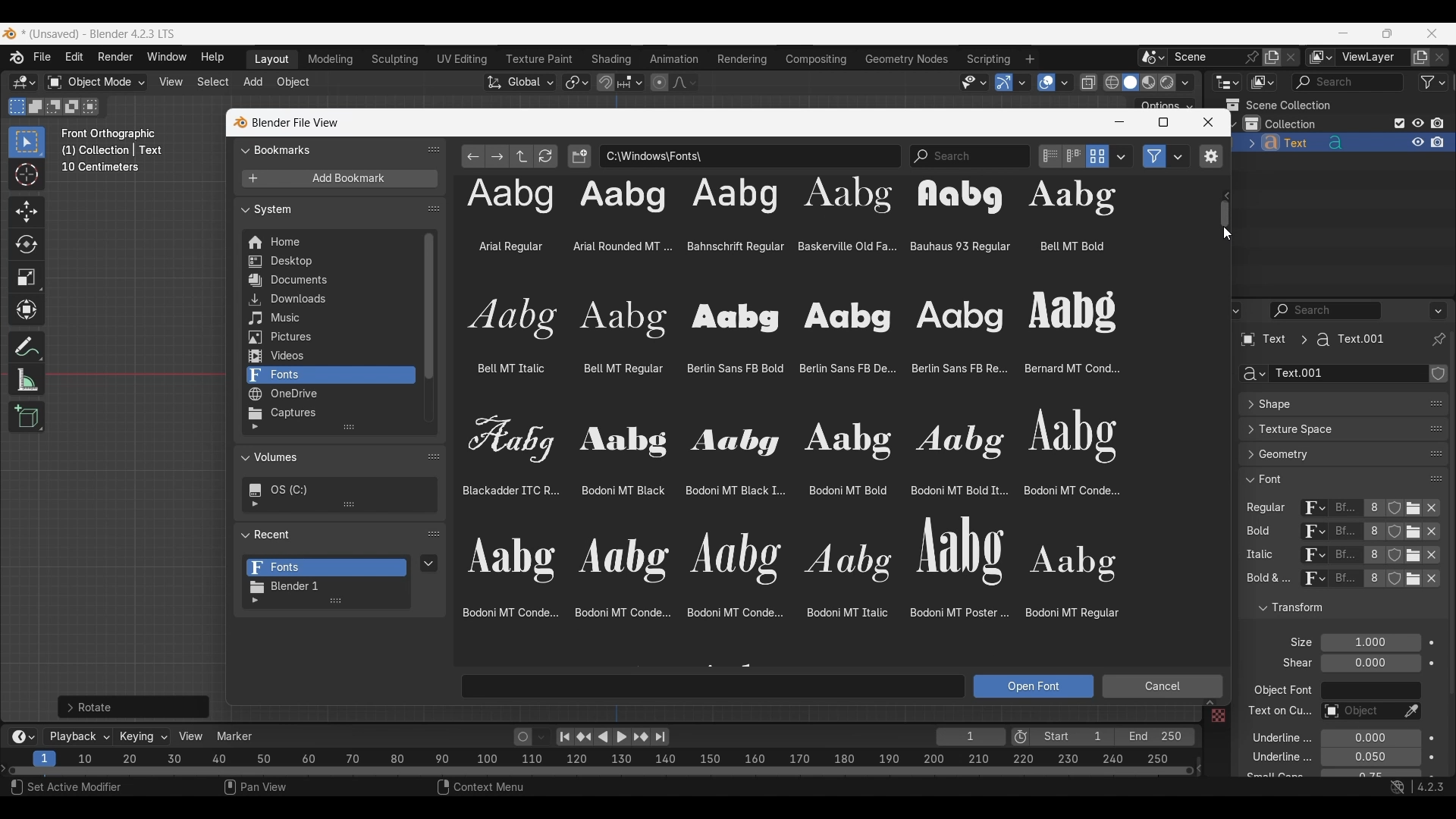  What do you see at coordinates (27, 176) in the screenshot?
I see `Cursor` at bounding box center [27, 176].